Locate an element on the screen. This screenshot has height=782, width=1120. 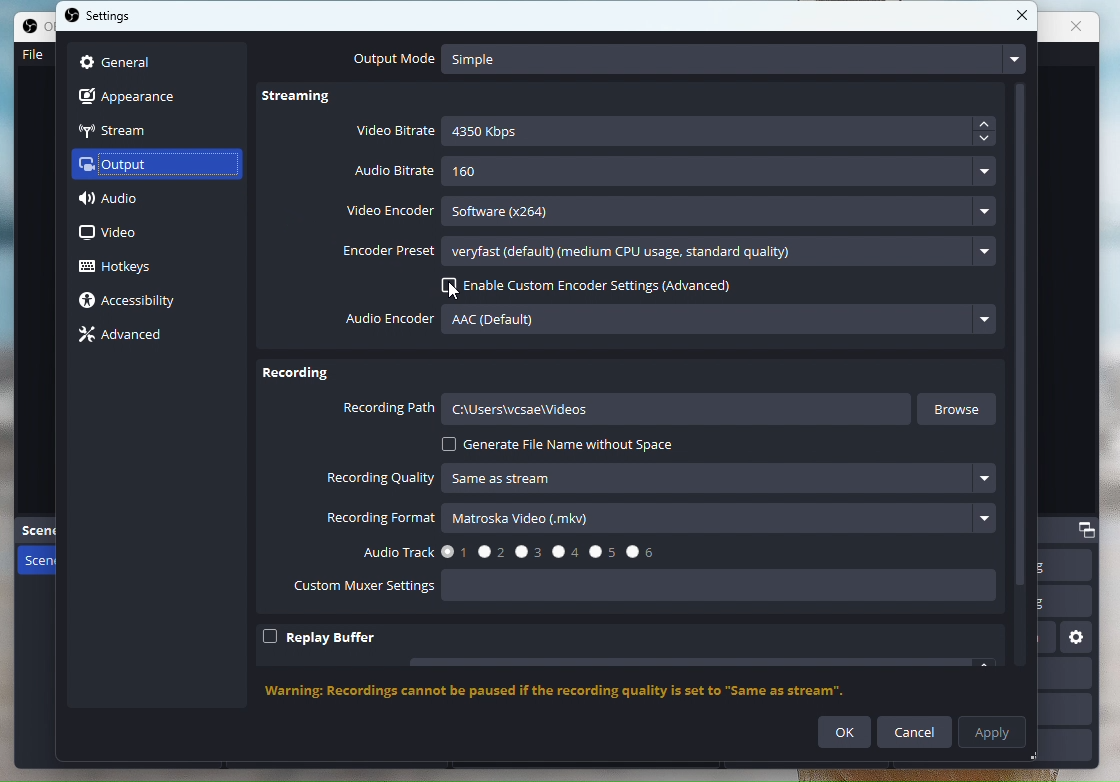
Recording is located at coordinates (301, 375).